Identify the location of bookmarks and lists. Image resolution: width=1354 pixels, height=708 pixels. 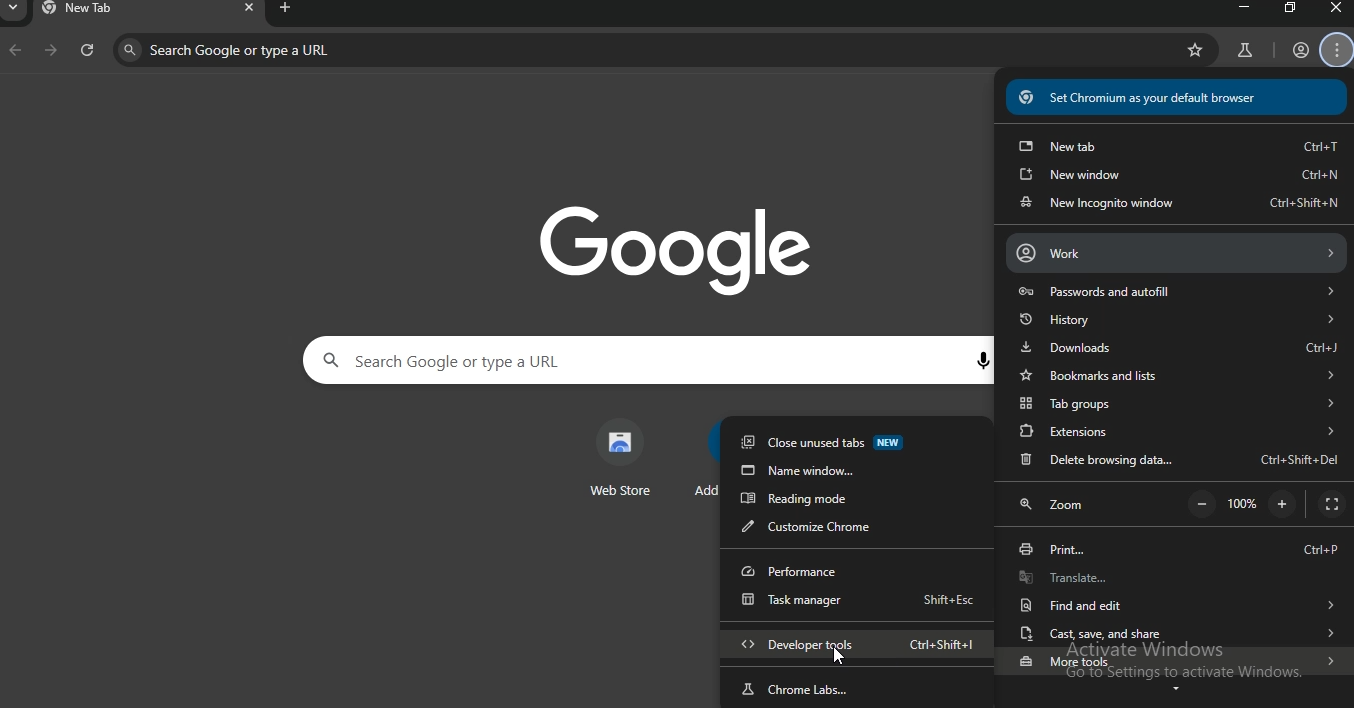
(1180, 376).